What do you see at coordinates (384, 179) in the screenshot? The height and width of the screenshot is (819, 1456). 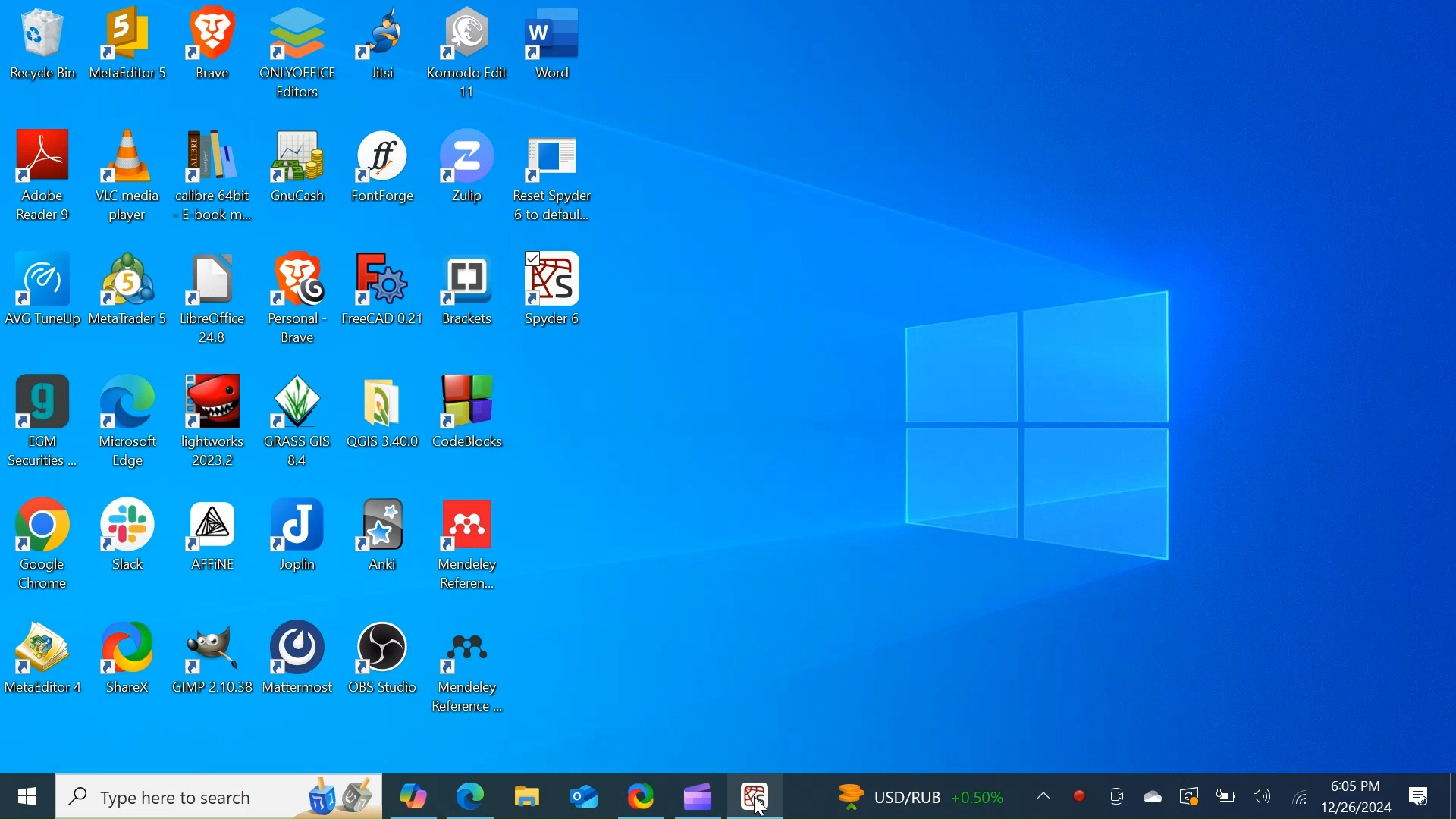 I see `FontForge Desktop Icon` at bounding box center [384, 179].